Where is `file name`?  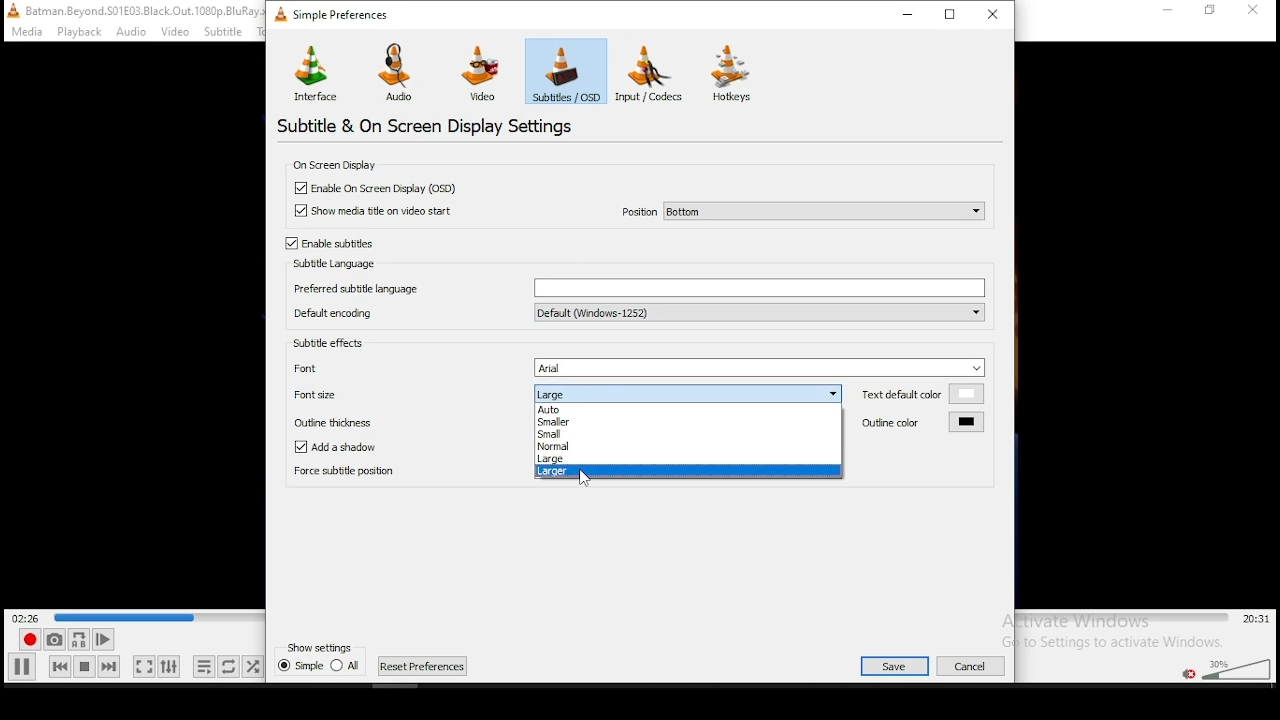
file name is located at coordinates (146, 10).